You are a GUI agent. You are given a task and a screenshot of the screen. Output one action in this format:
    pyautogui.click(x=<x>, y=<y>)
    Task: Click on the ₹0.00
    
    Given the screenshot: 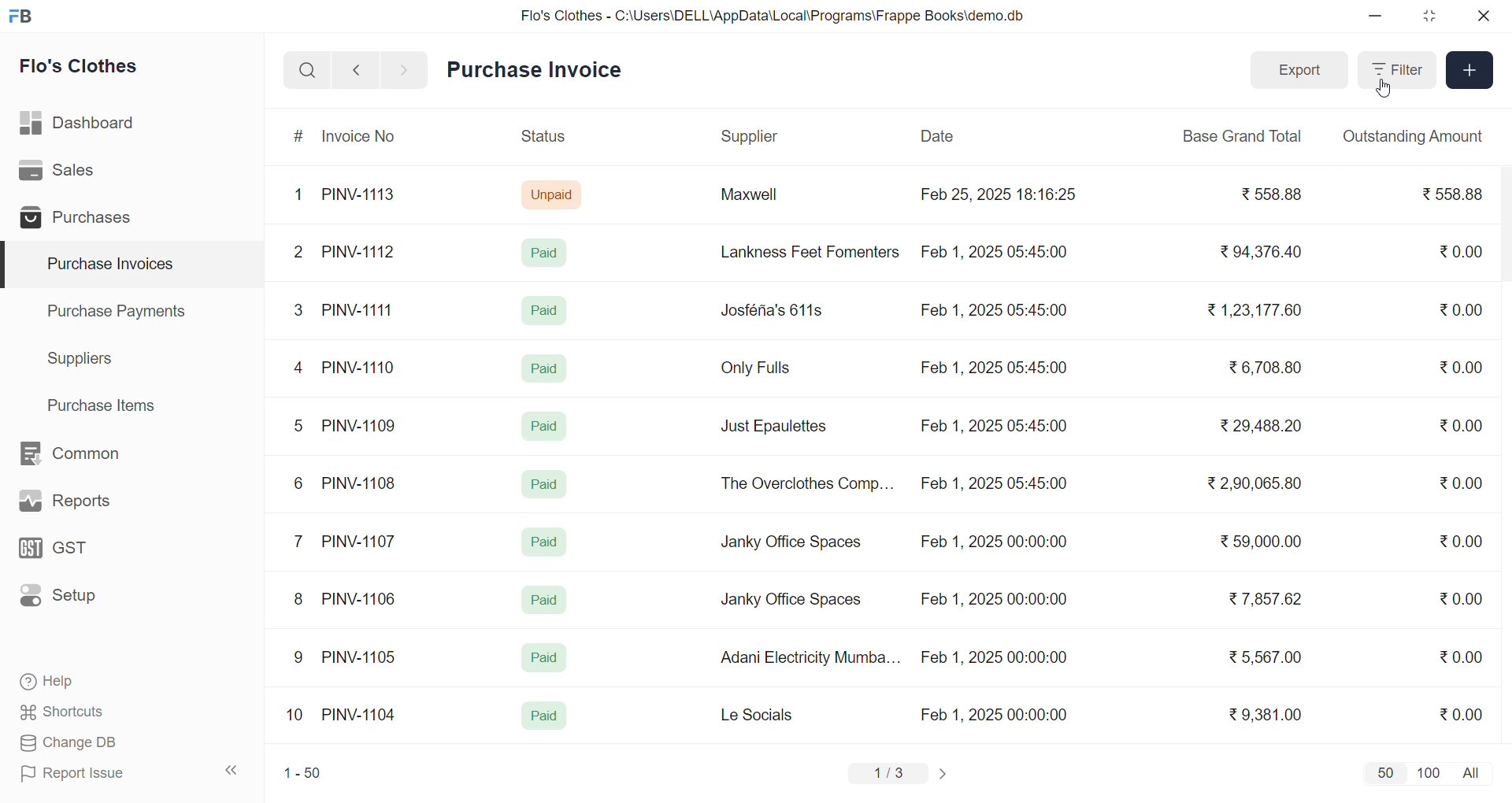 What is the action you would take?
    pyautogui.click(x=1461, y=713)
    